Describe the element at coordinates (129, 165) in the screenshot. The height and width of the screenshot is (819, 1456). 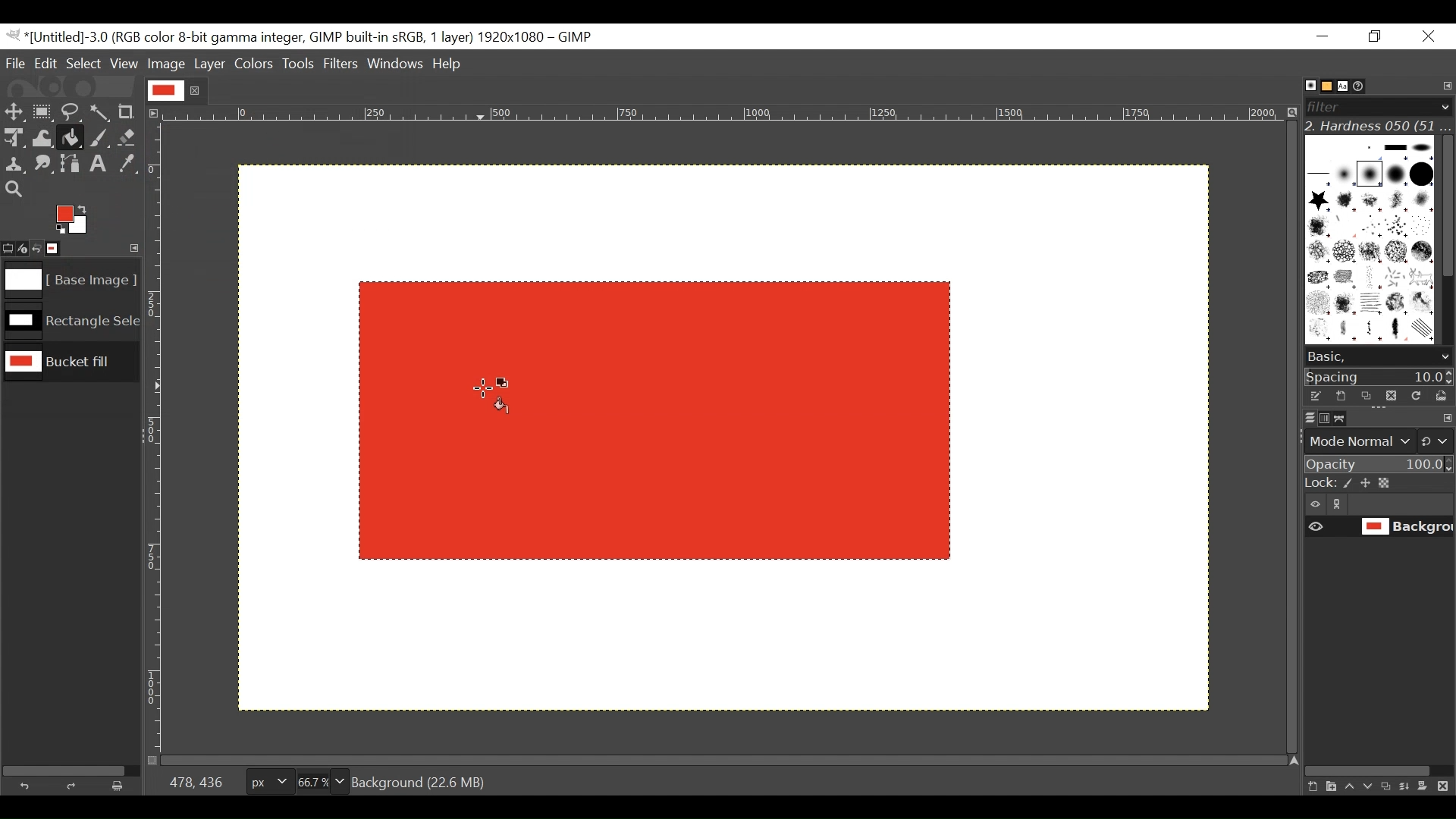
I see `Color picker tool` at that location.